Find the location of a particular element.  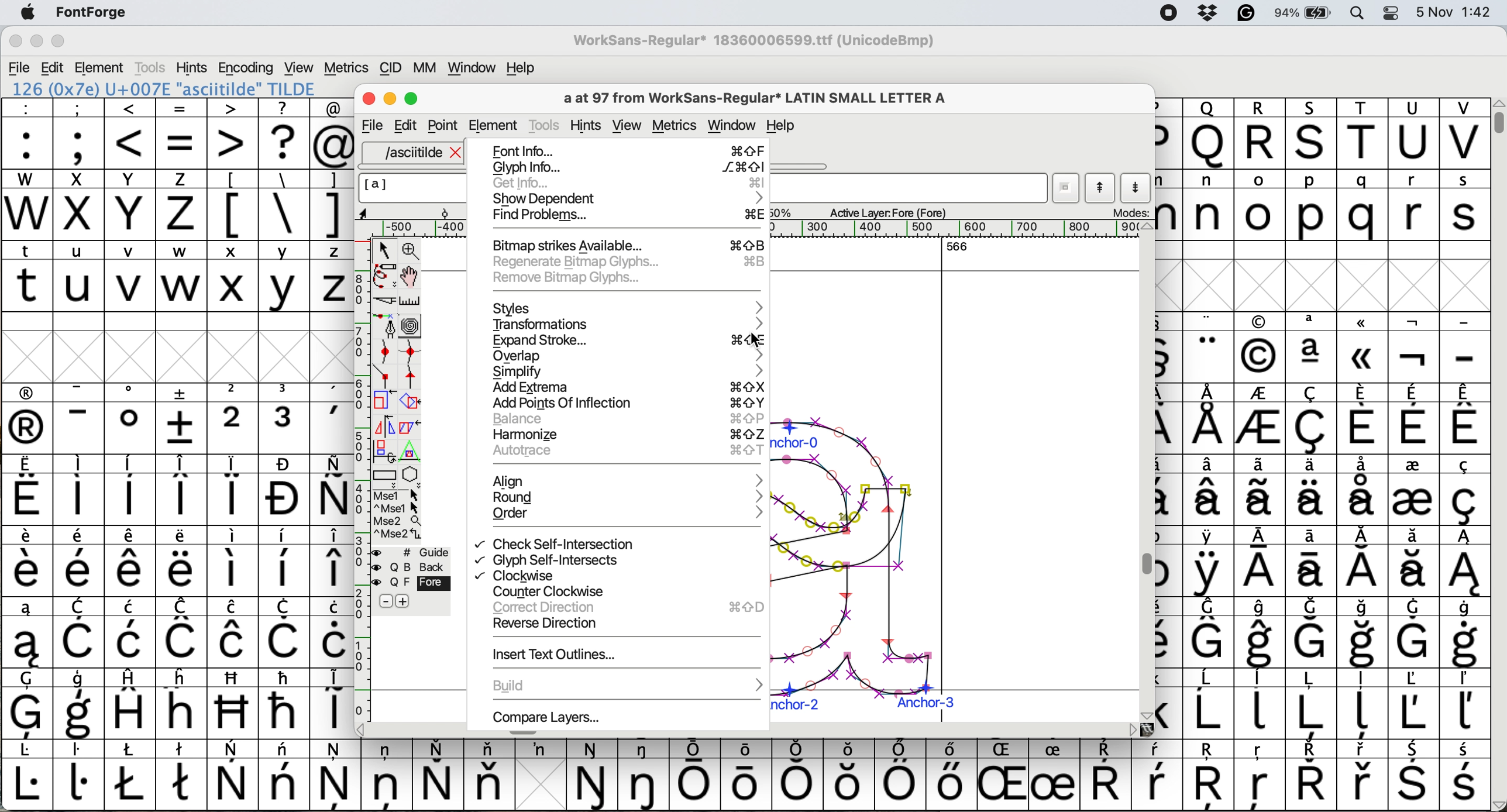

rotate the selection is located at coordinates (416, 402).